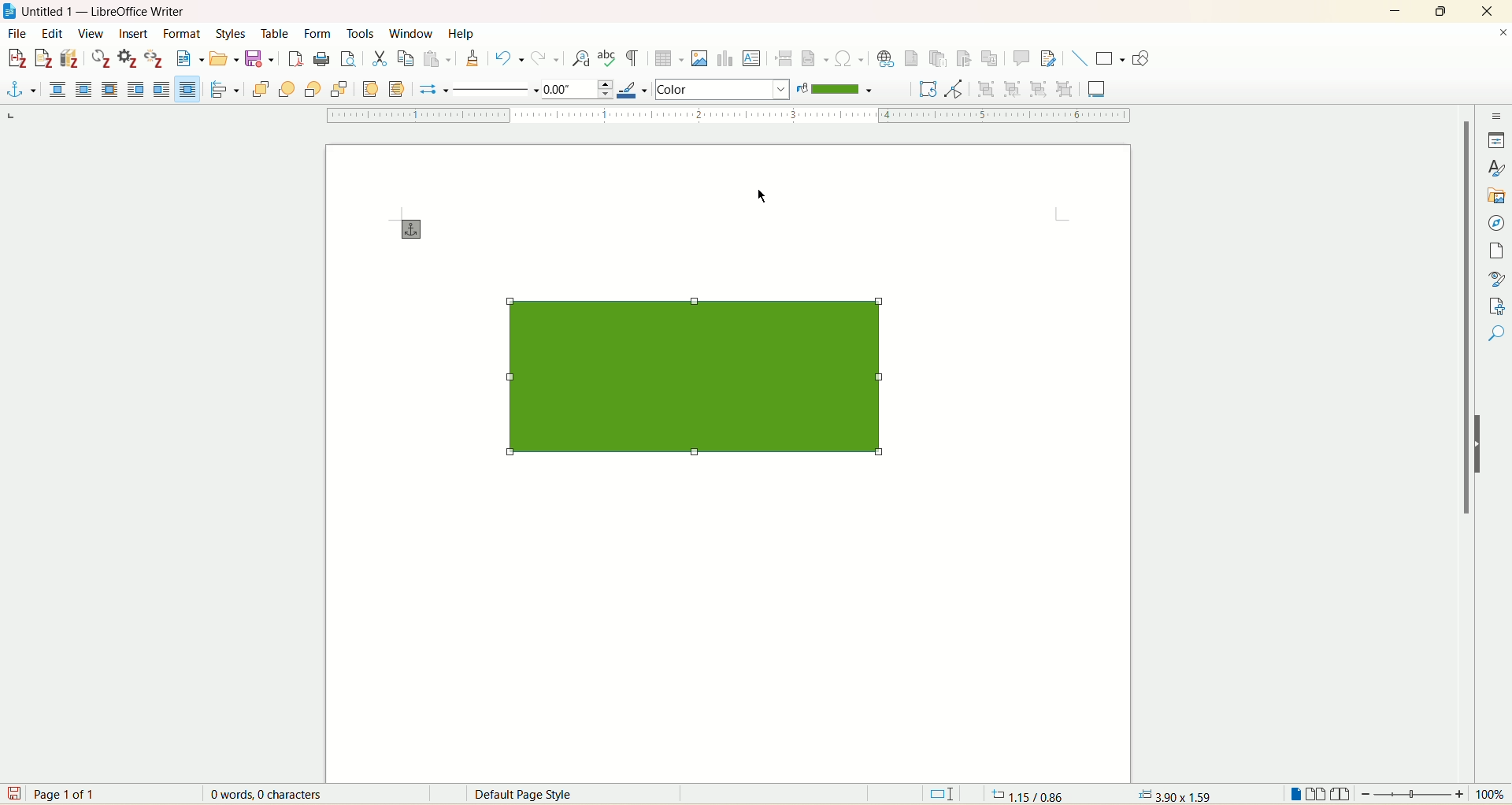 The width and height of the screenshot is (1512, 805). I want to click on spelling, so click(608, 60).